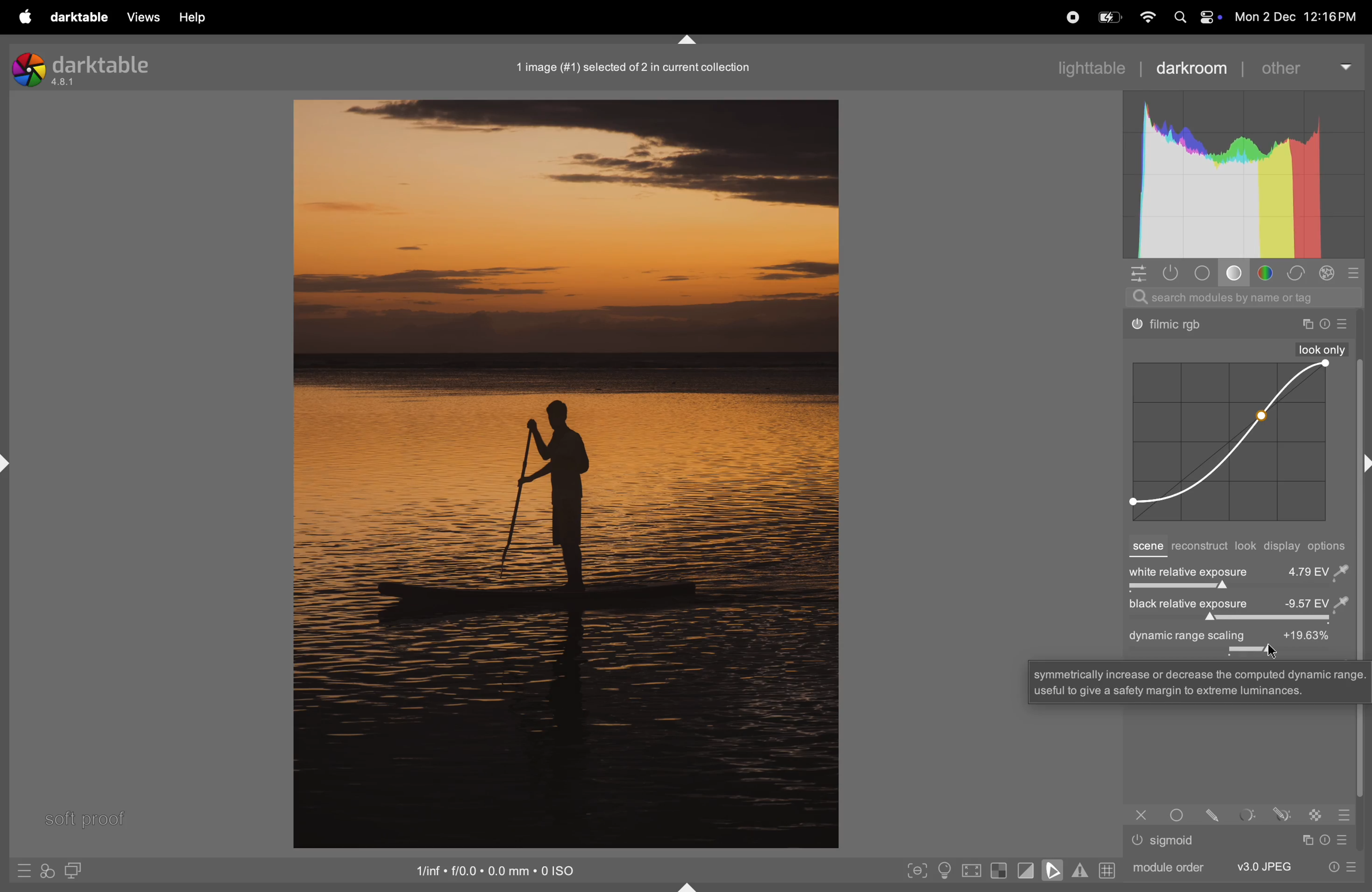 This screenshot has width=1372, height=892. I want to click on correct , so click(1296, 274).